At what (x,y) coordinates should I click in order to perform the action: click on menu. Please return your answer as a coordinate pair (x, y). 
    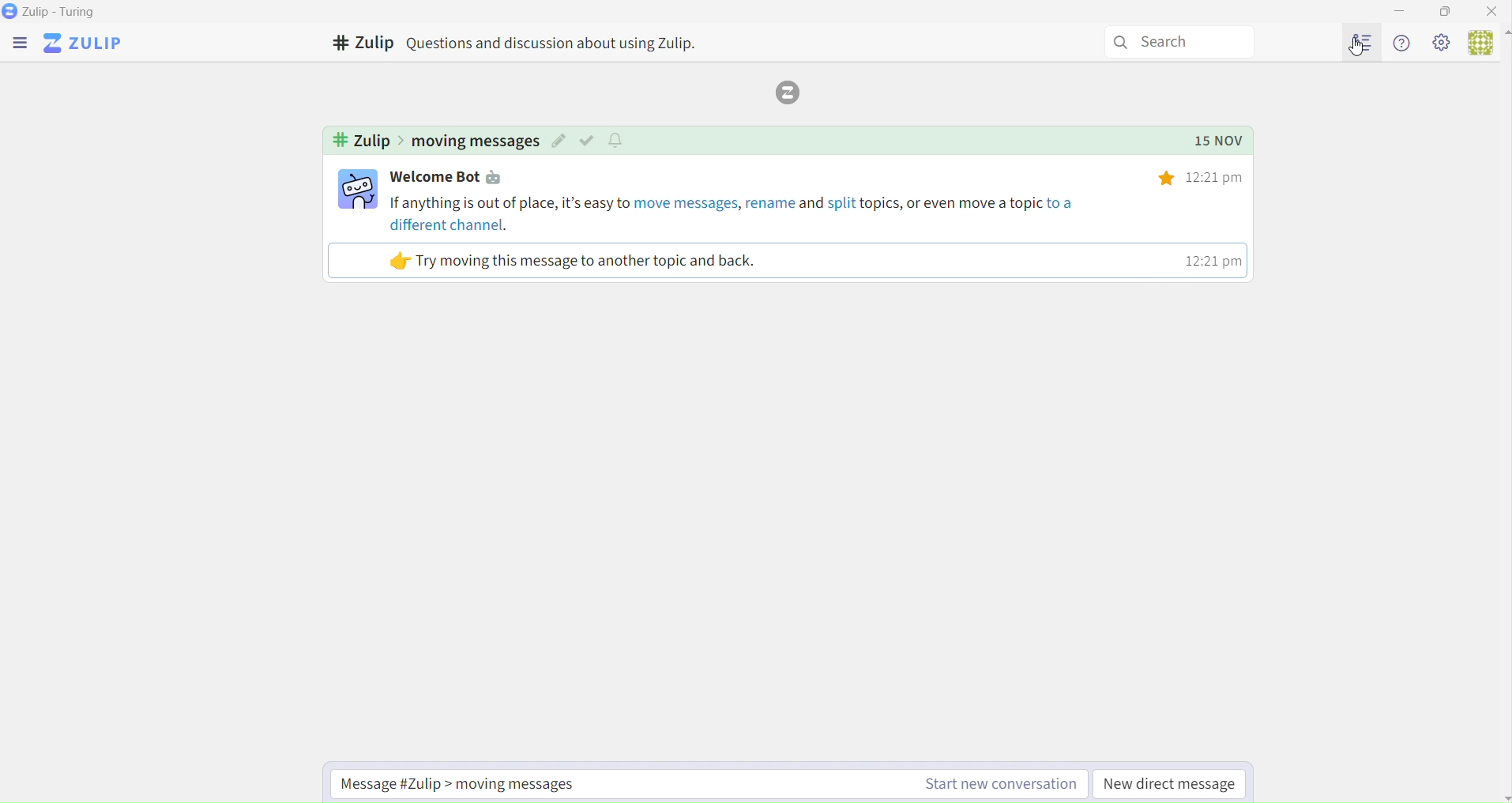
    Looking at the image, I should click on (19, 45).